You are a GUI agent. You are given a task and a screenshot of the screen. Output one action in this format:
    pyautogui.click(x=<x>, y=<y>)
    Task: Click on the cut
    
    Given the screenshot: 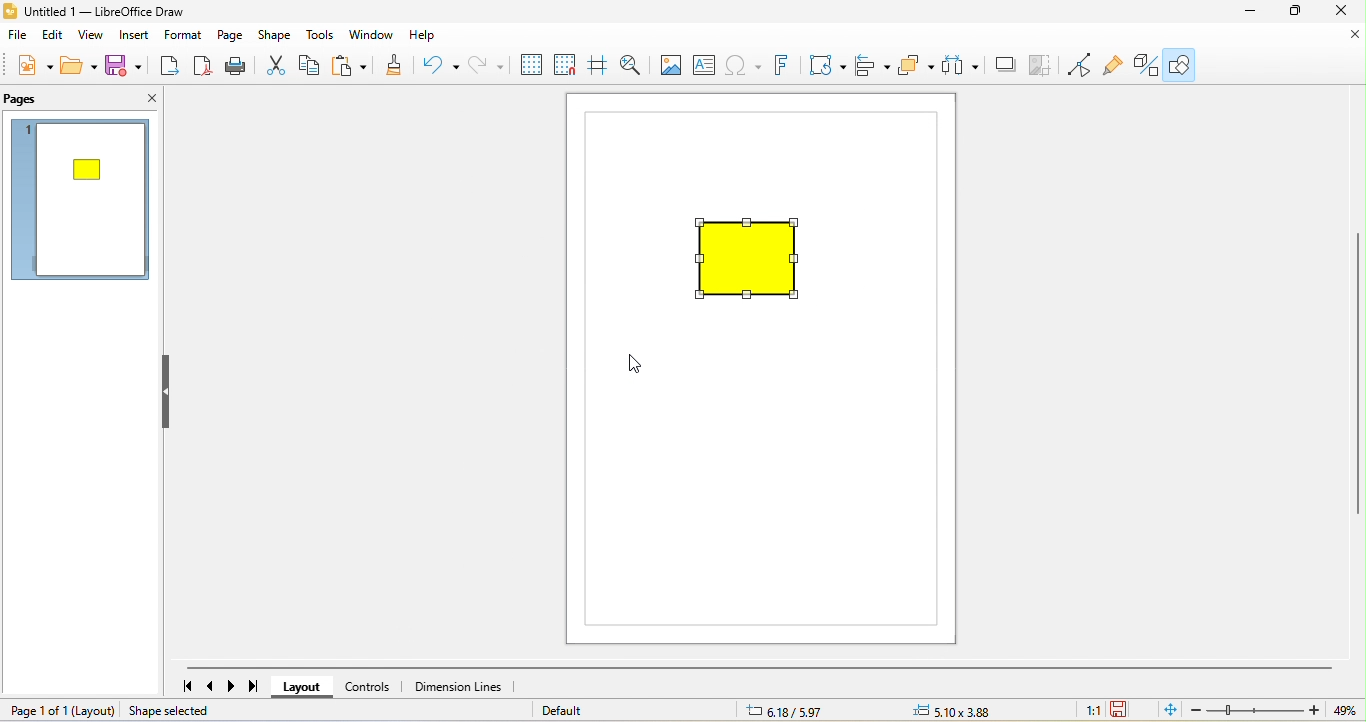 What is the action you would take?
    pyautogui.click(x=275, y=65)
    